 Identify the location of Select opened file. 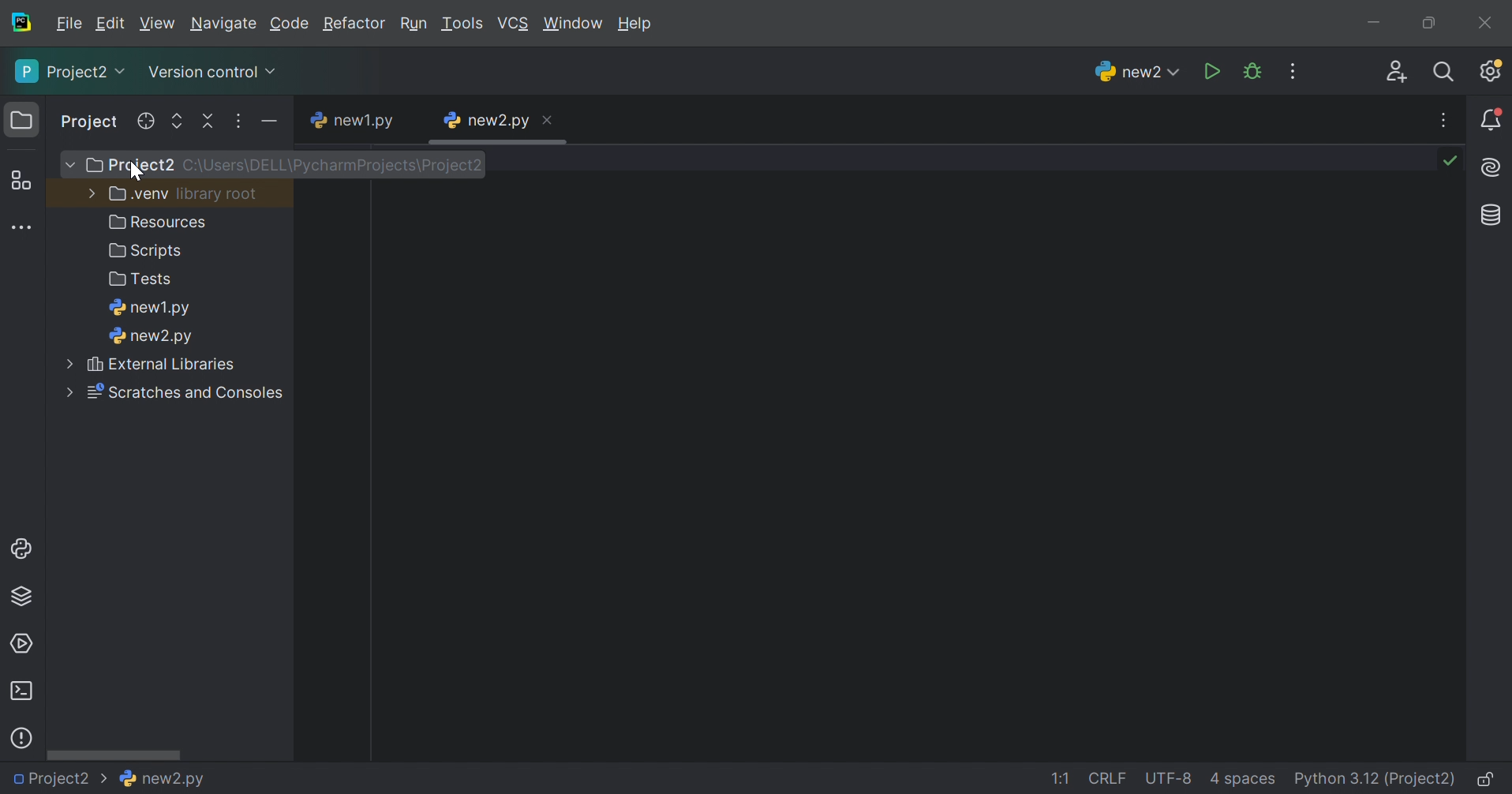
(148, 121).